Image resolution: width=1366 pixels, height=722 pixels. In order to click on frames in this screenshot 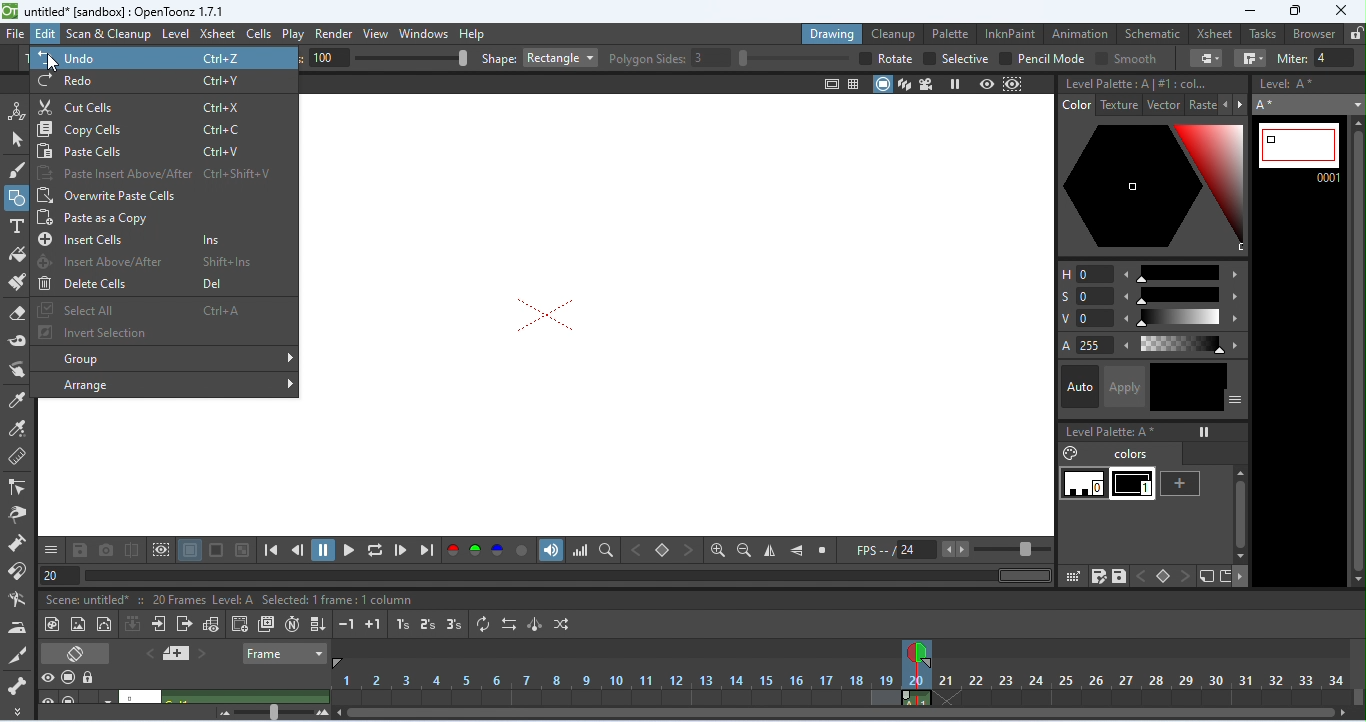, I will do `click(847, 683)`.